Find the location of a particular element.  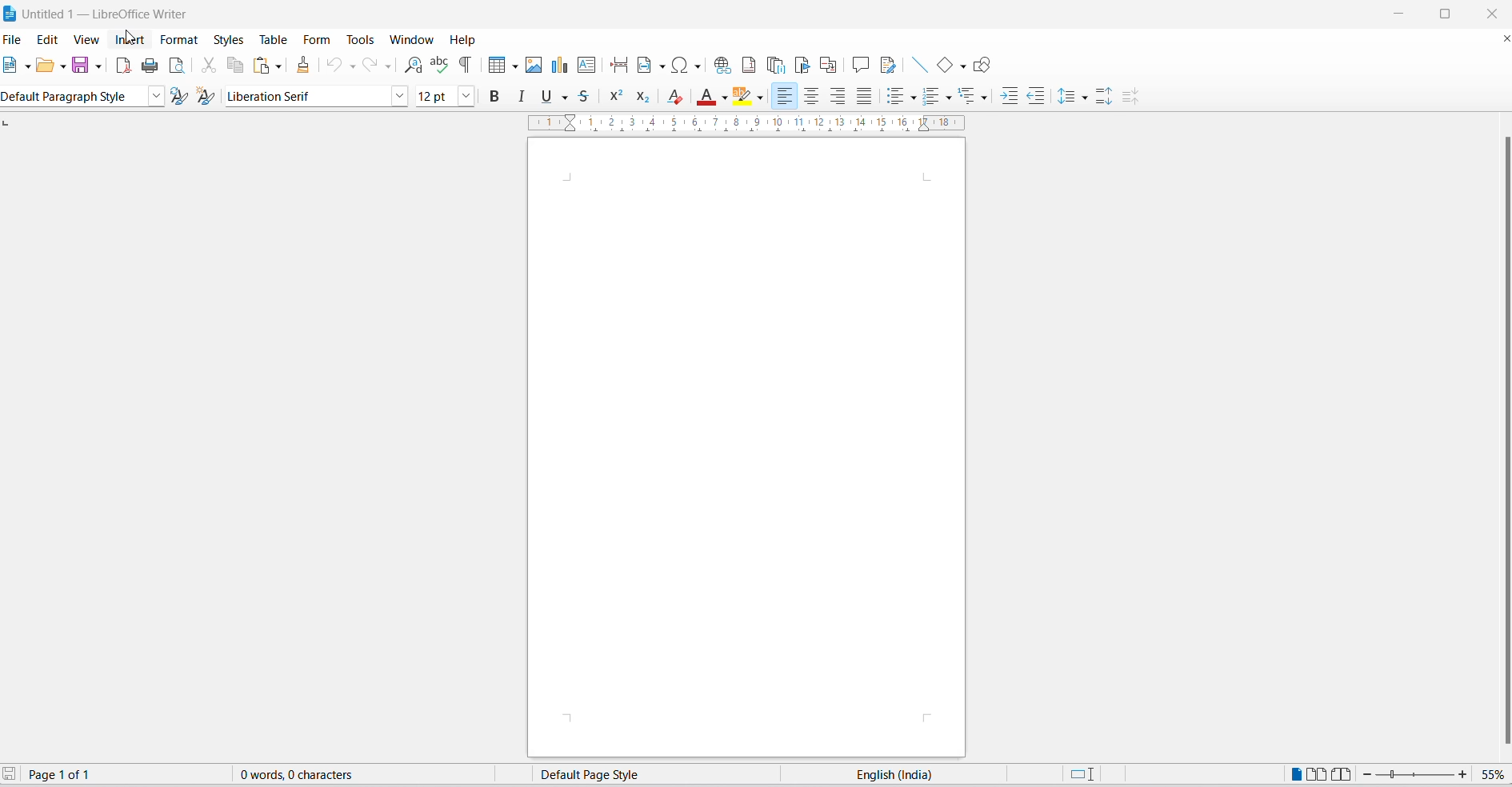

undo options is located at coordinates (353, 67).